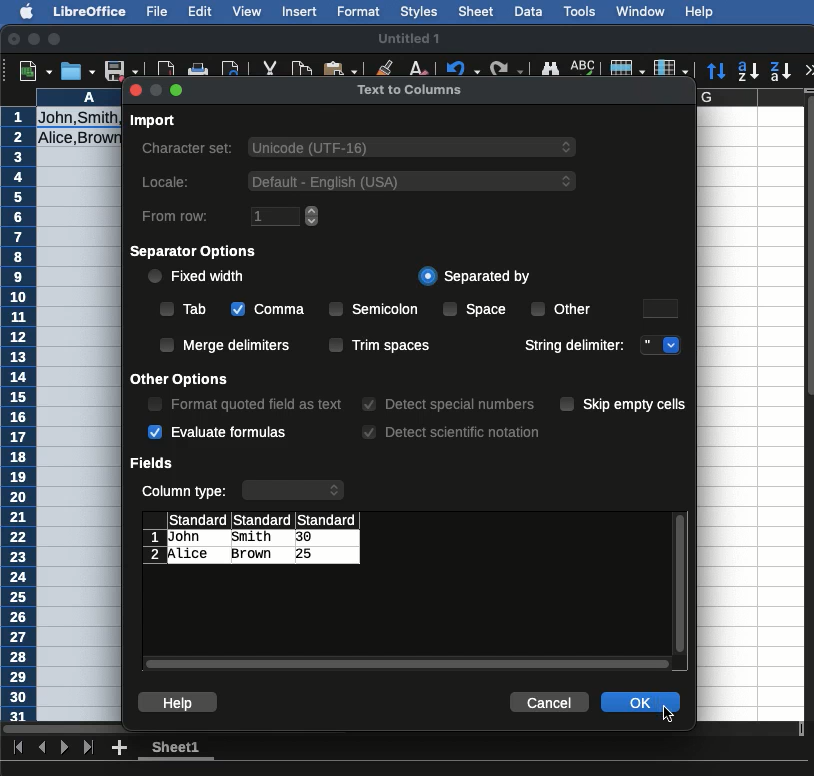 This screenshot has height=776, width=814. What do you see at coordinates (153, 122) in the screenshot?
I see `Import` at bounding box center [153, 122].